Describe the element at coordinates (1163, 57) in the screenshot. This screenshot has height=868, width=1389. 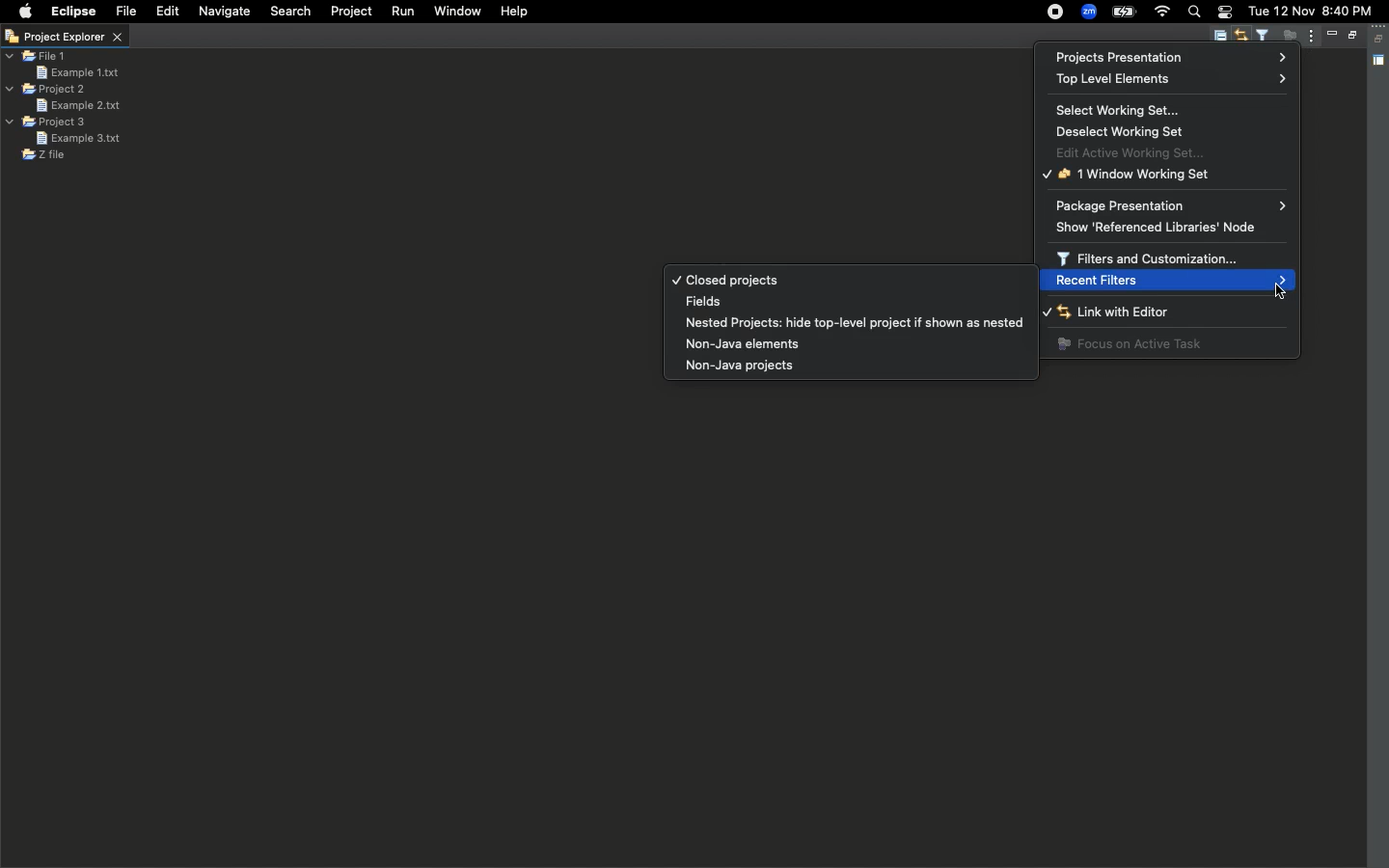
I see `Project presentation` at that location.